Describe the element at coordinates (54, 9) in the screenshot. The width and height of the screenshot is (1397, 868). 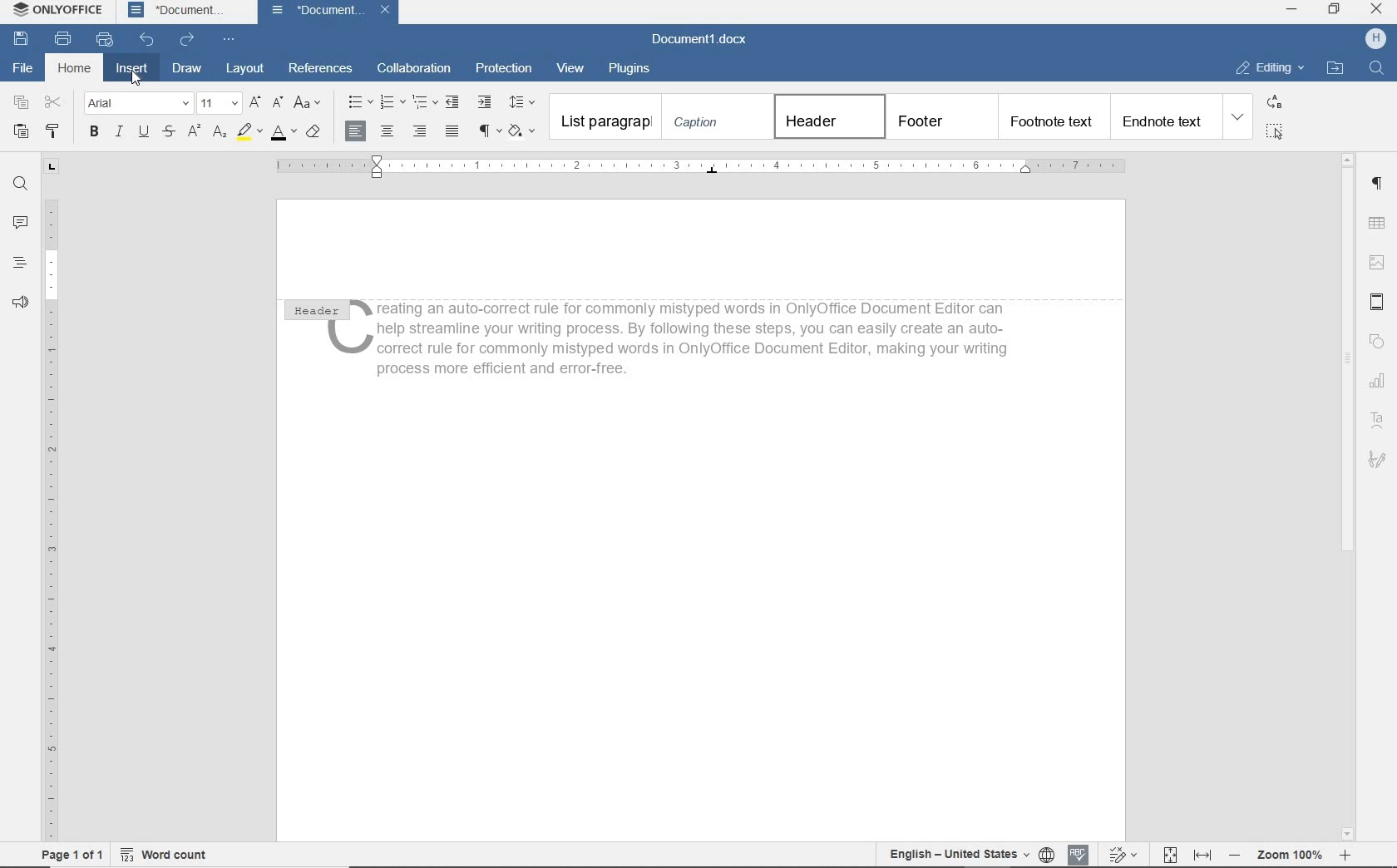
I see `SYSTEM NAME` at that location.